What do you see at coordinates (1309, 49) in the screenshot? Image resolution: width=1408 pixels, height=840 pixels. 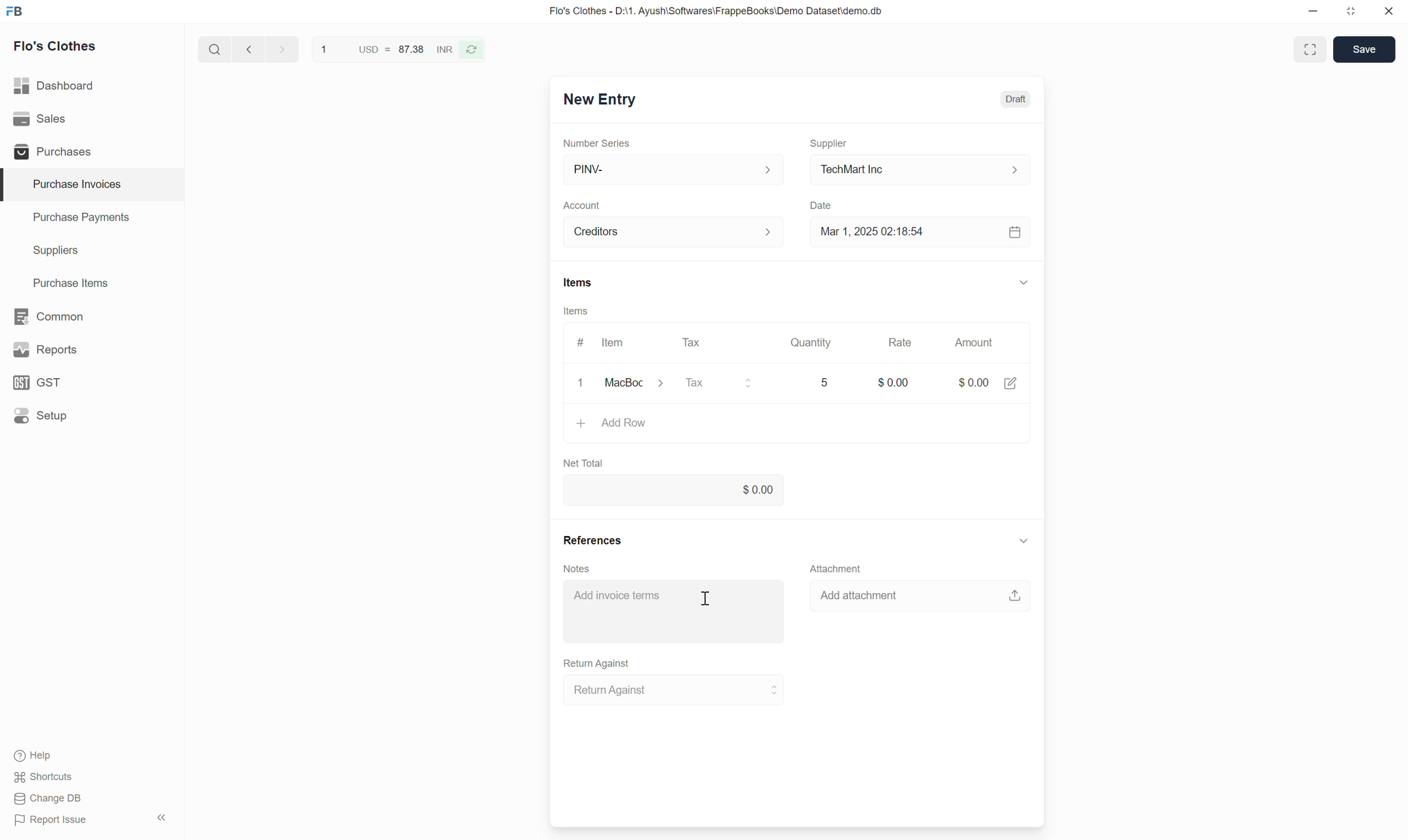 I see `Toggle between form and full width` at bounding box center [1309, 49].